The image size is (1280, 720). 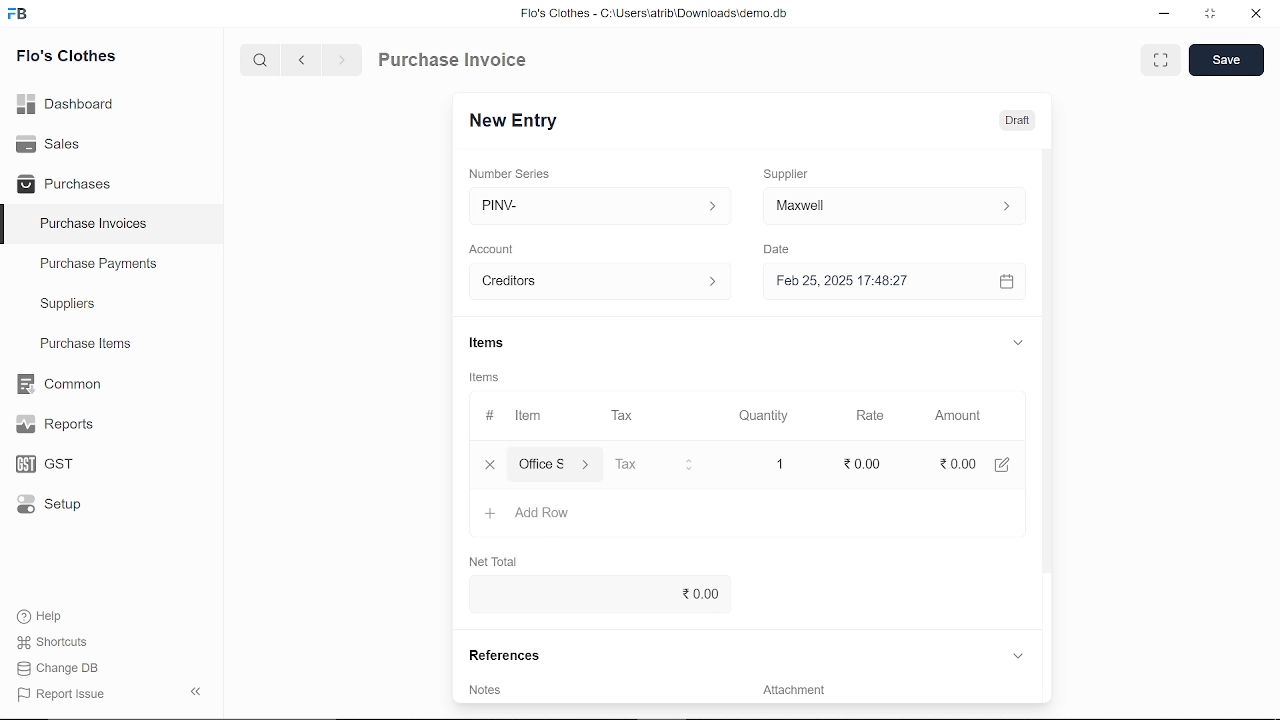 What do you see at coordinates (54, 425) in the screenshot?
I see `Reports` at bounding box center [54, 425].